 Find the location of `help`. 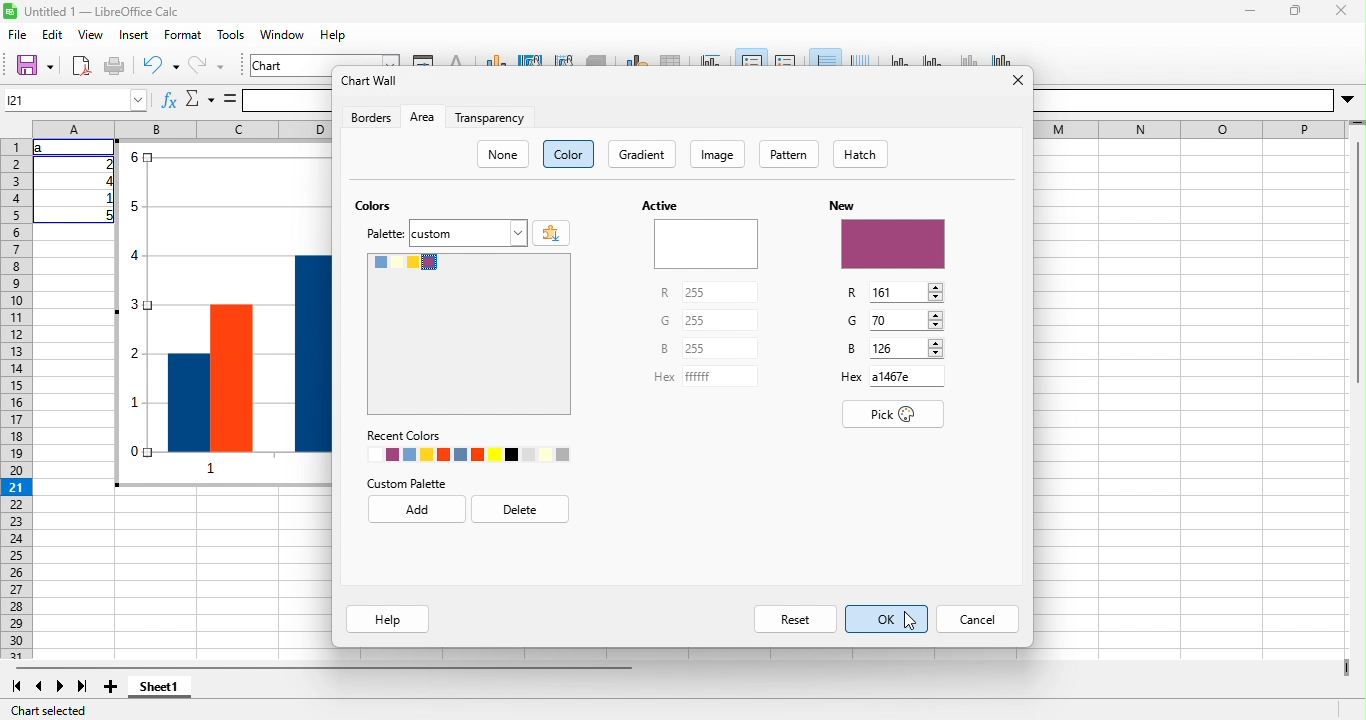

help is located at coordinates (388, 619).